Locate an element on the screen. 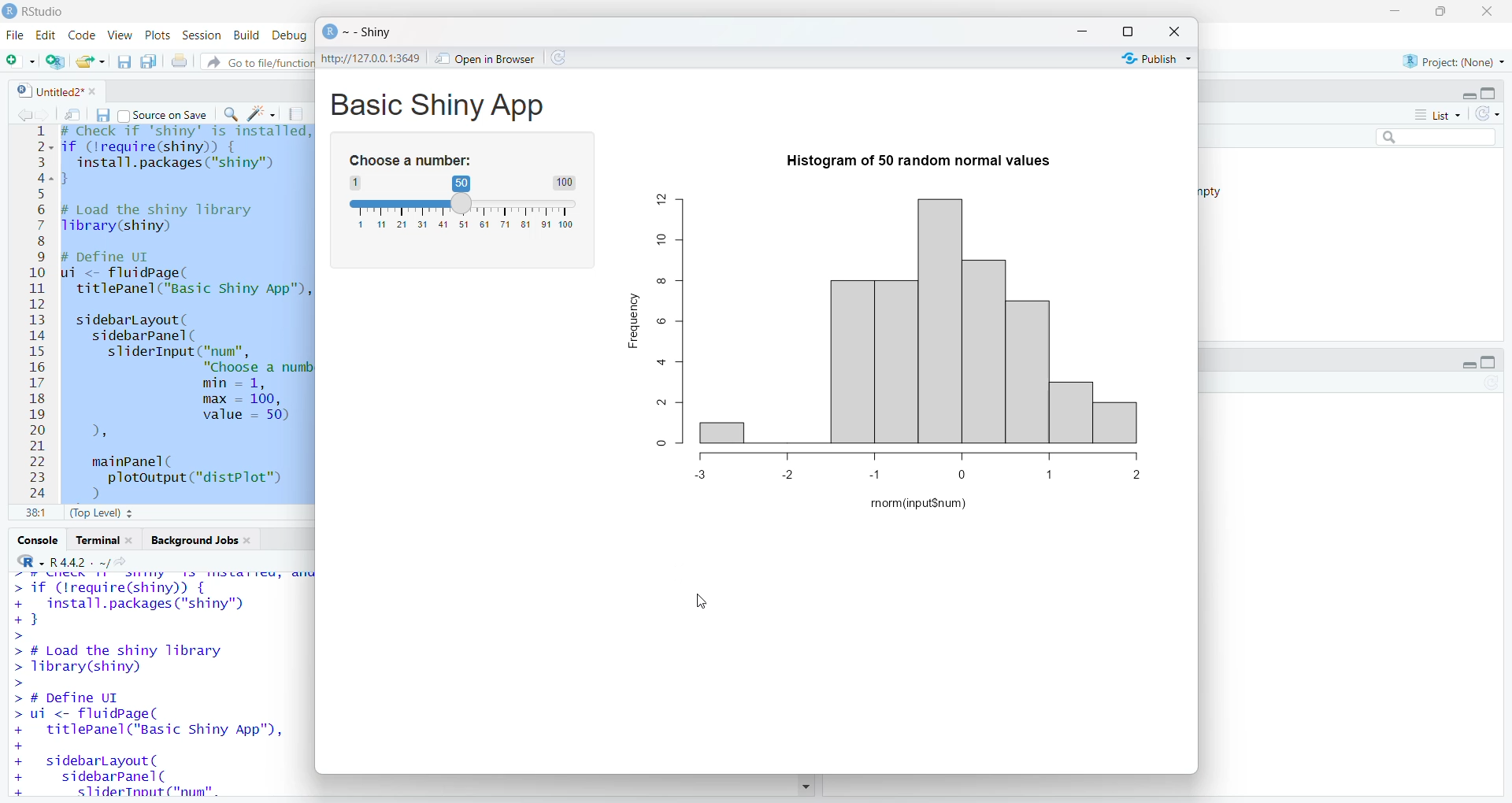 Image resolution: width=1512 pixels, height=803 pixels. refresh is located at coordinates (1492, 383).